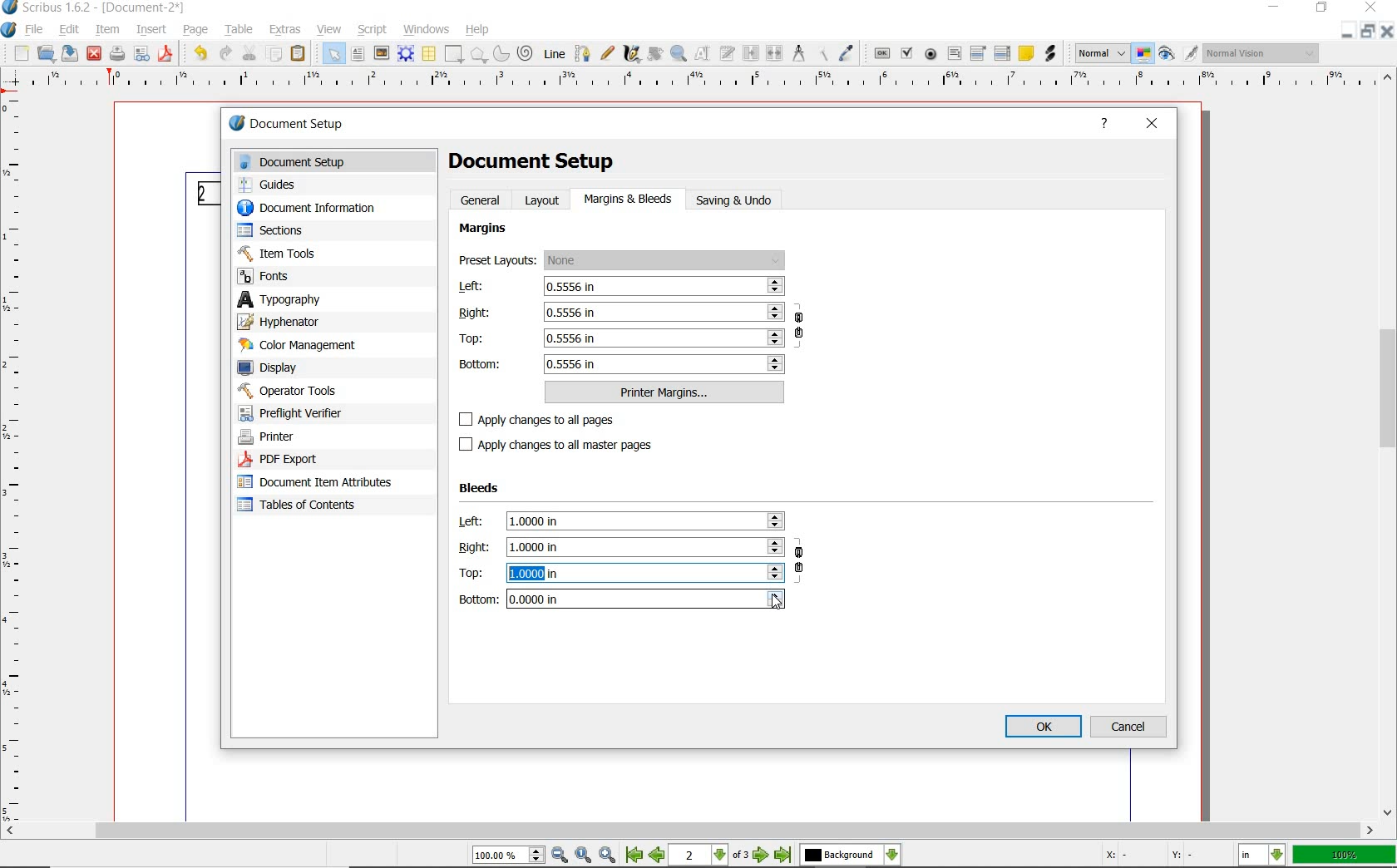 This screenshot has height=868, width=1397. I want to click on Right, so click(621, 311).